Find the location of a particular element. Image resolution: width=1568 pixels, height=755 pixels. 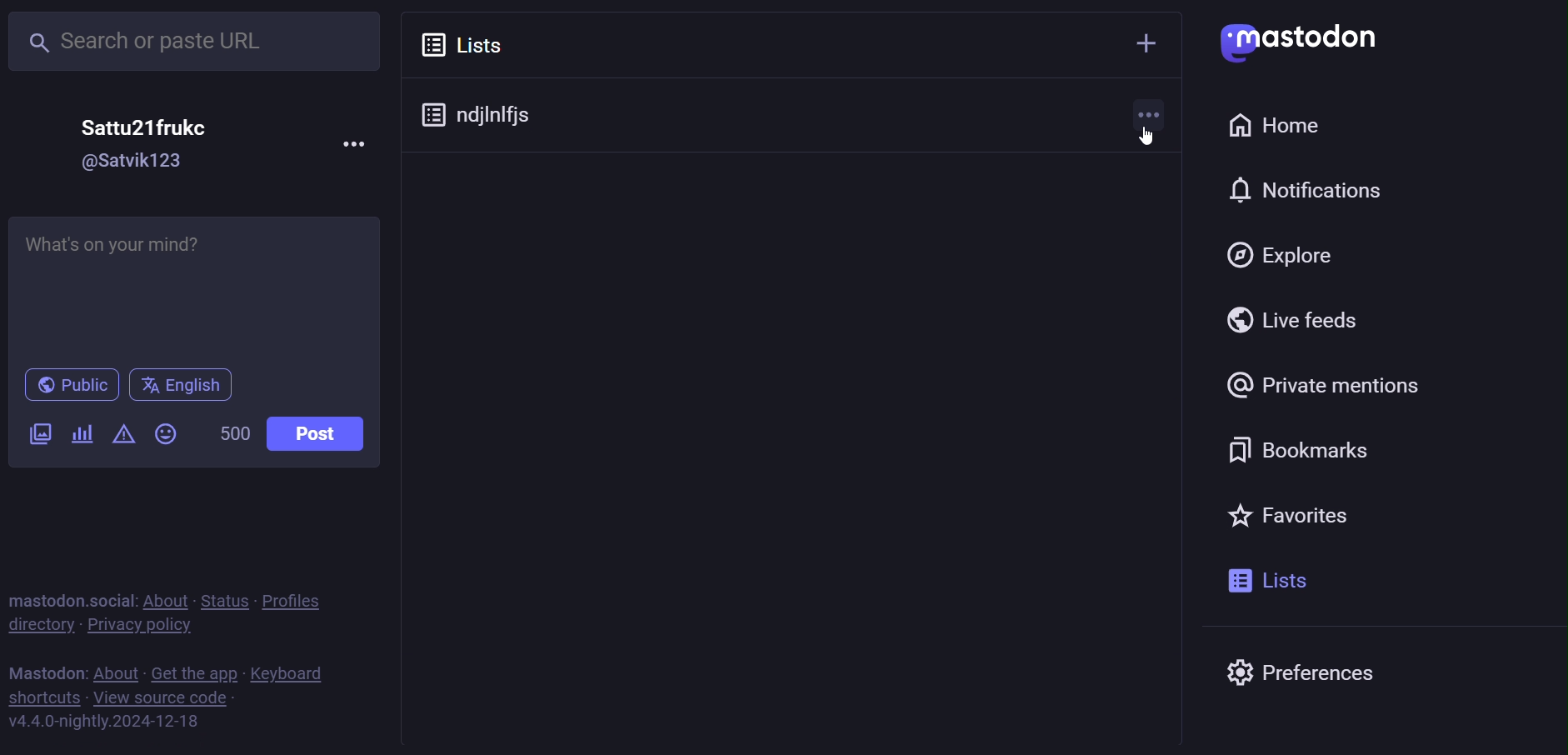

ndjlnlfjs is located at coordinates (481, 112).